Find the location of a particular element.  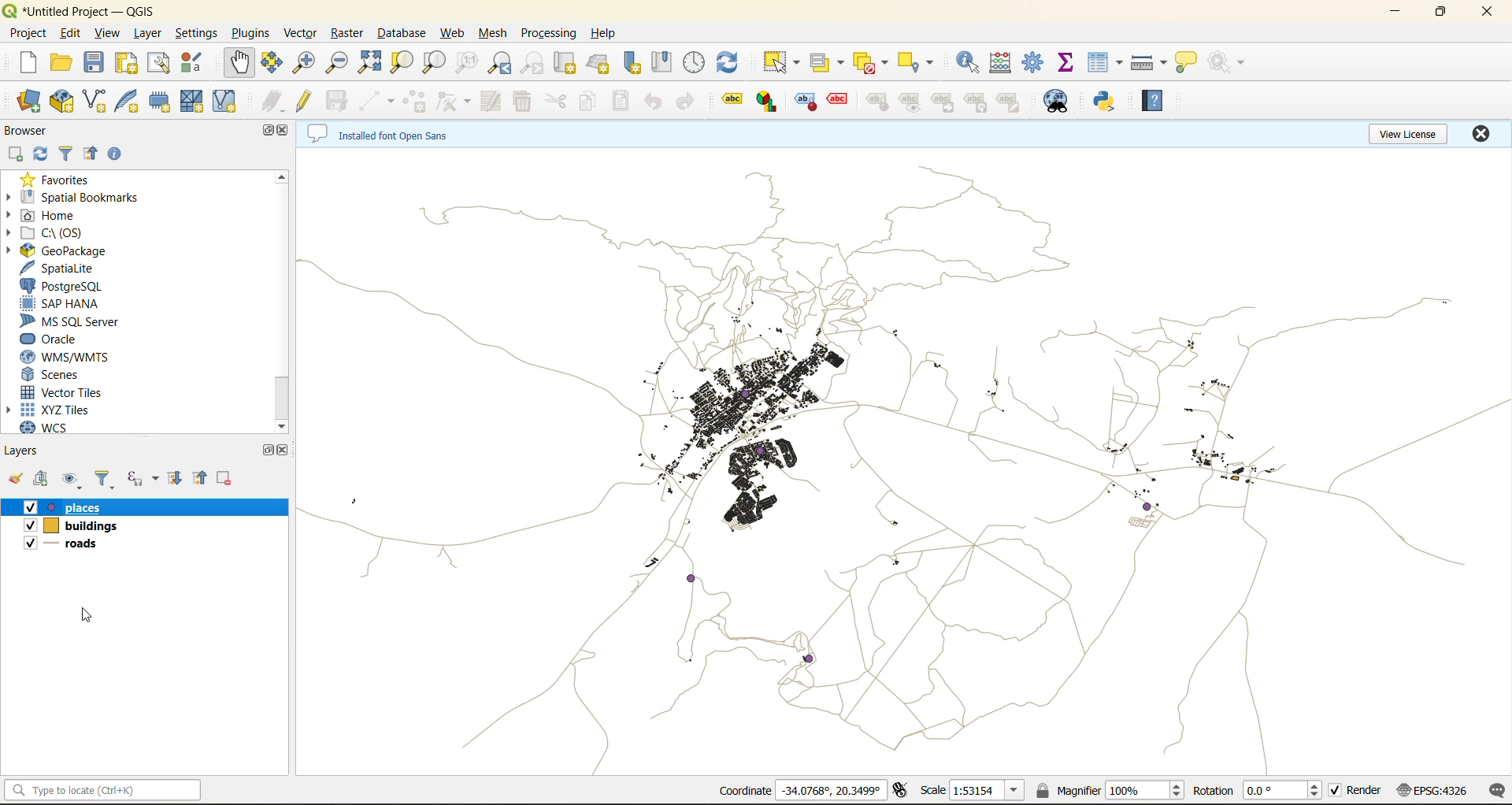

geopackage is located at coordinates (57, 250).